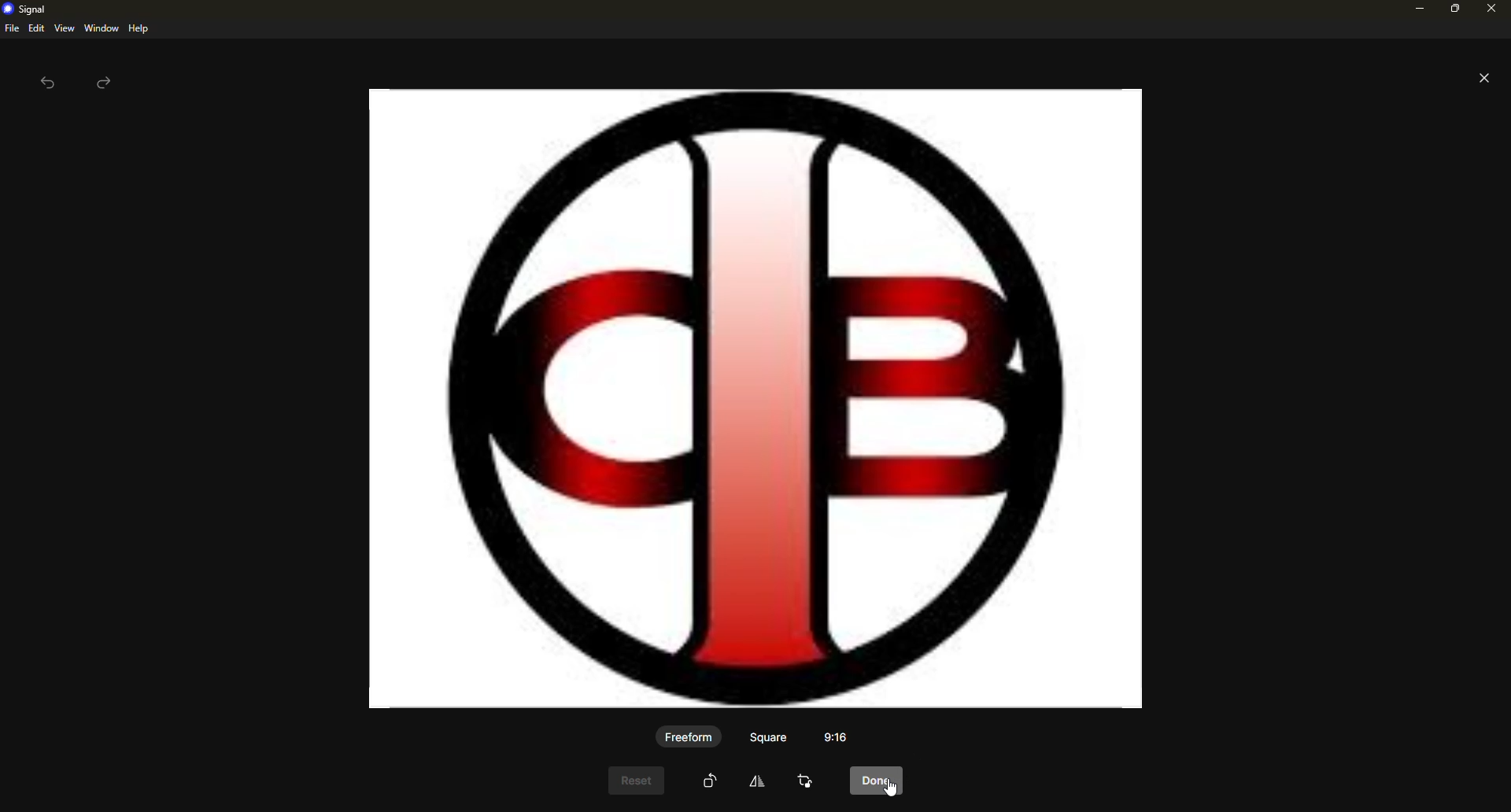  What do you see at coordinates (105, 83) in the screenshot?
I see `forward` at bounding box center [105, 83].